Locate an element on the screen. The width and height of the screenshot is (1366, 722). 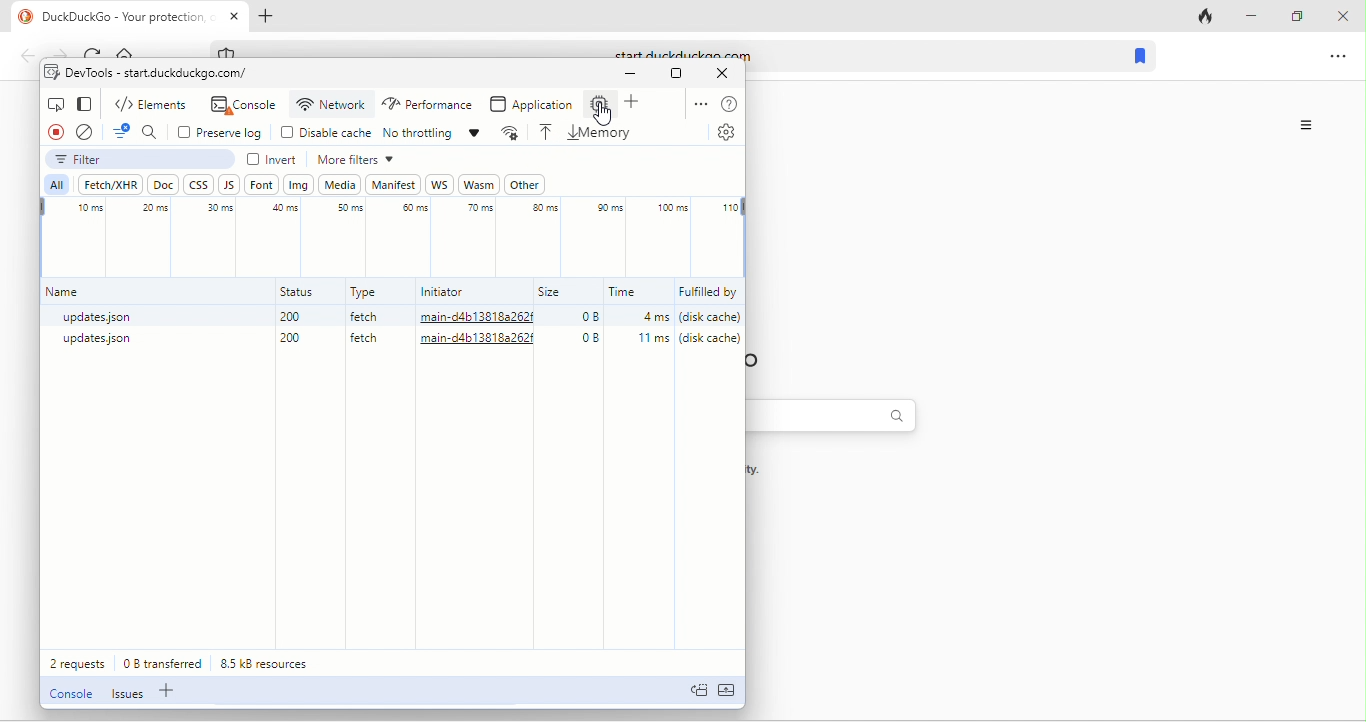
record is located at coordinates (59, 131).